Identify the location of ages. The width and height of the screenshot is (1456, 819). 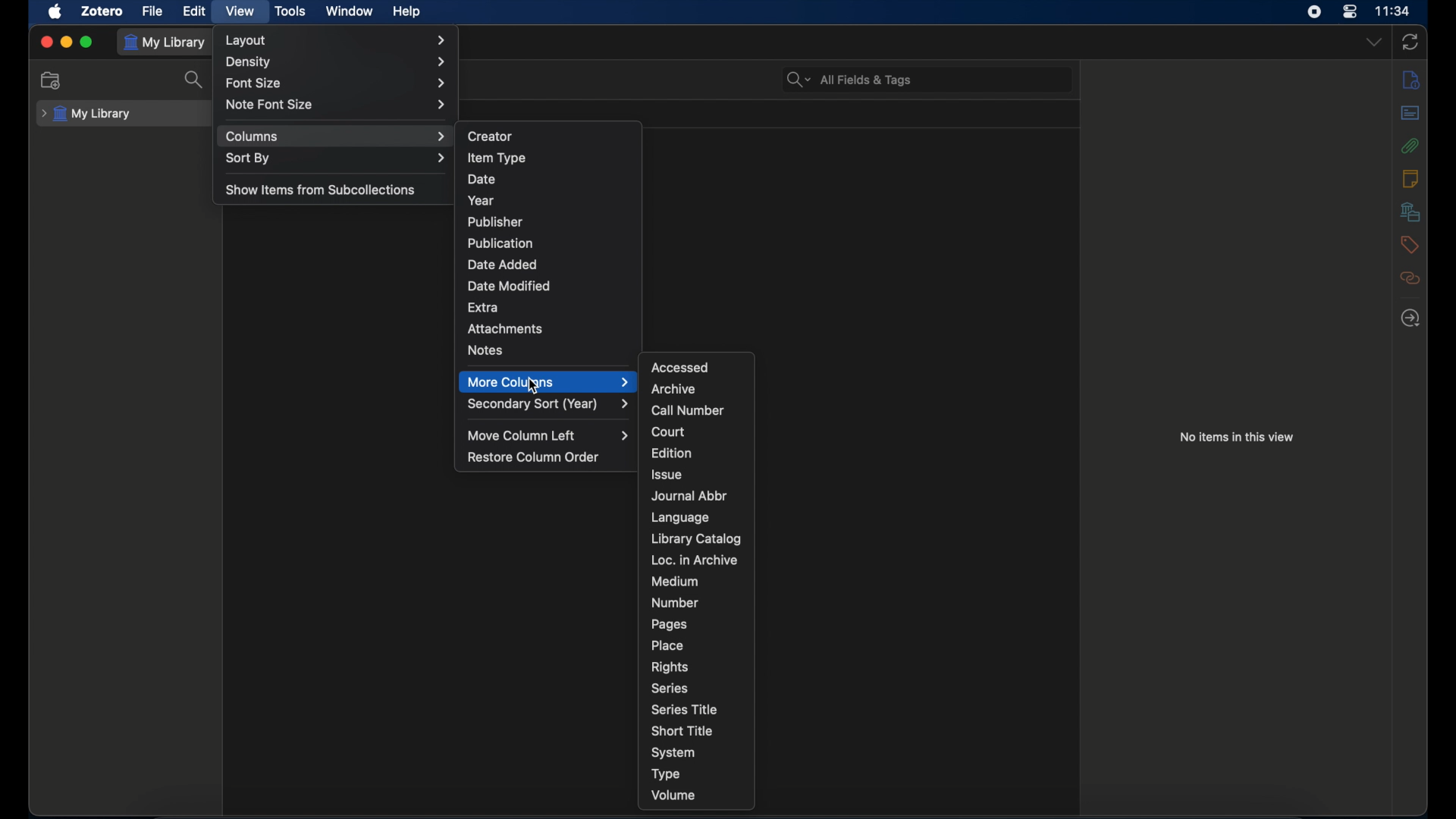
(670, 624).